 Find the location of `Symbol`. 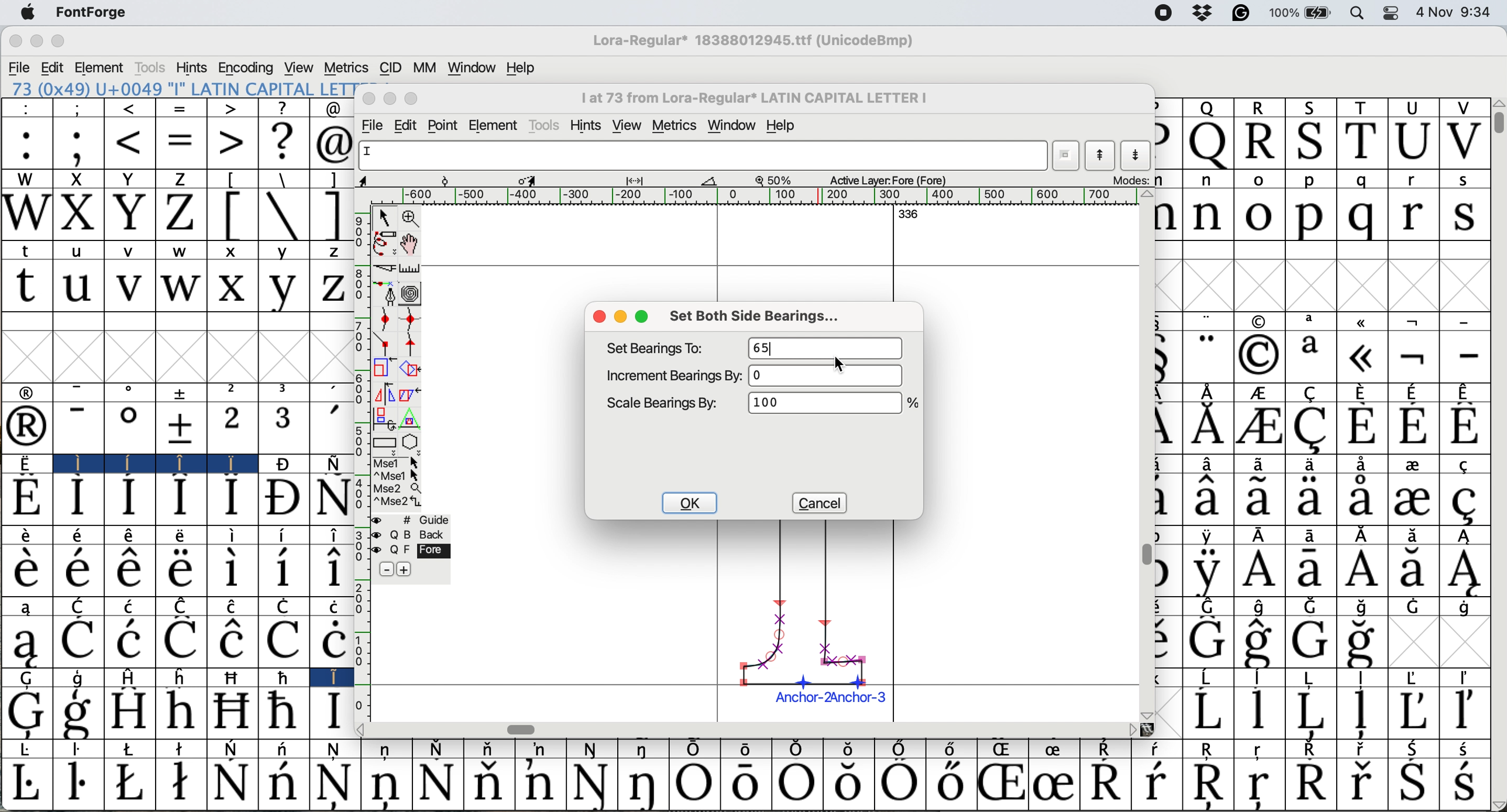

Symbol is located at coordinates (592, 750).